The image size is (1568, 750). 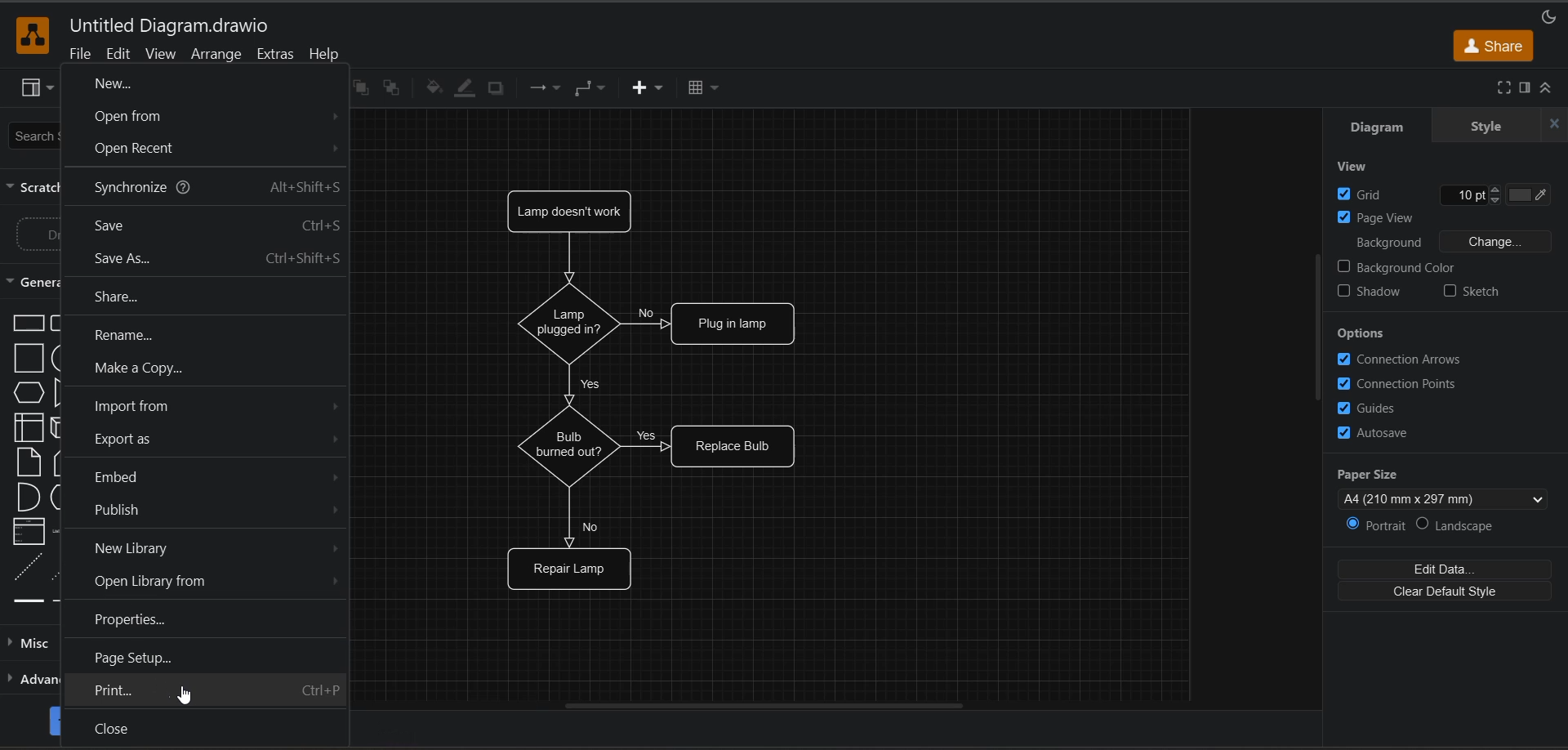 What do you see at coordinates (1527, 88) in the screenshot?
I see `format` at bounding box center [1527, 88].